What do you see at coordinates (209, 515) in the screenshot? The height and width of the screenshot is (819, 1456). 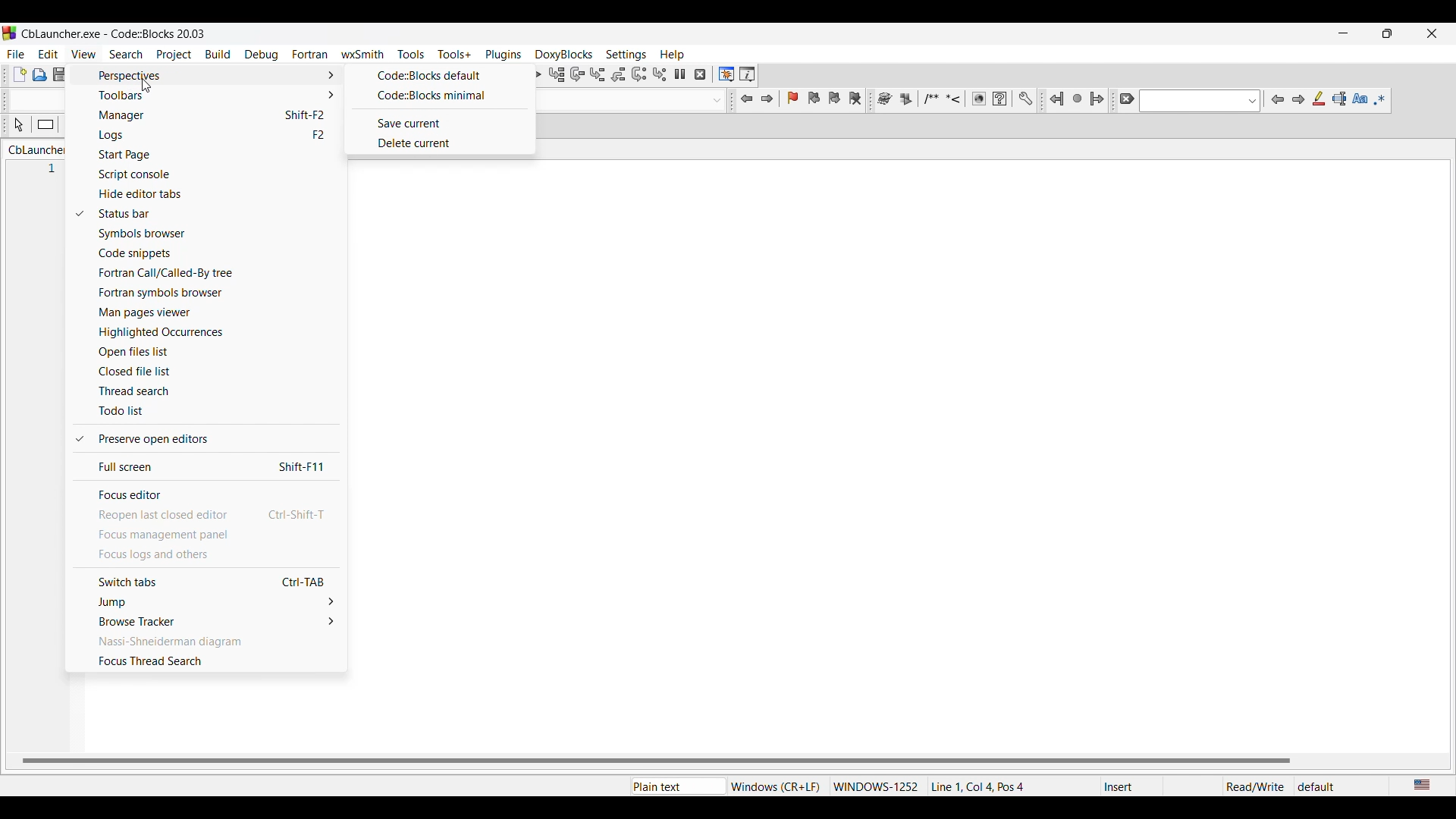 I see `Reopen last closed editor` at bounding box center [209, 515].